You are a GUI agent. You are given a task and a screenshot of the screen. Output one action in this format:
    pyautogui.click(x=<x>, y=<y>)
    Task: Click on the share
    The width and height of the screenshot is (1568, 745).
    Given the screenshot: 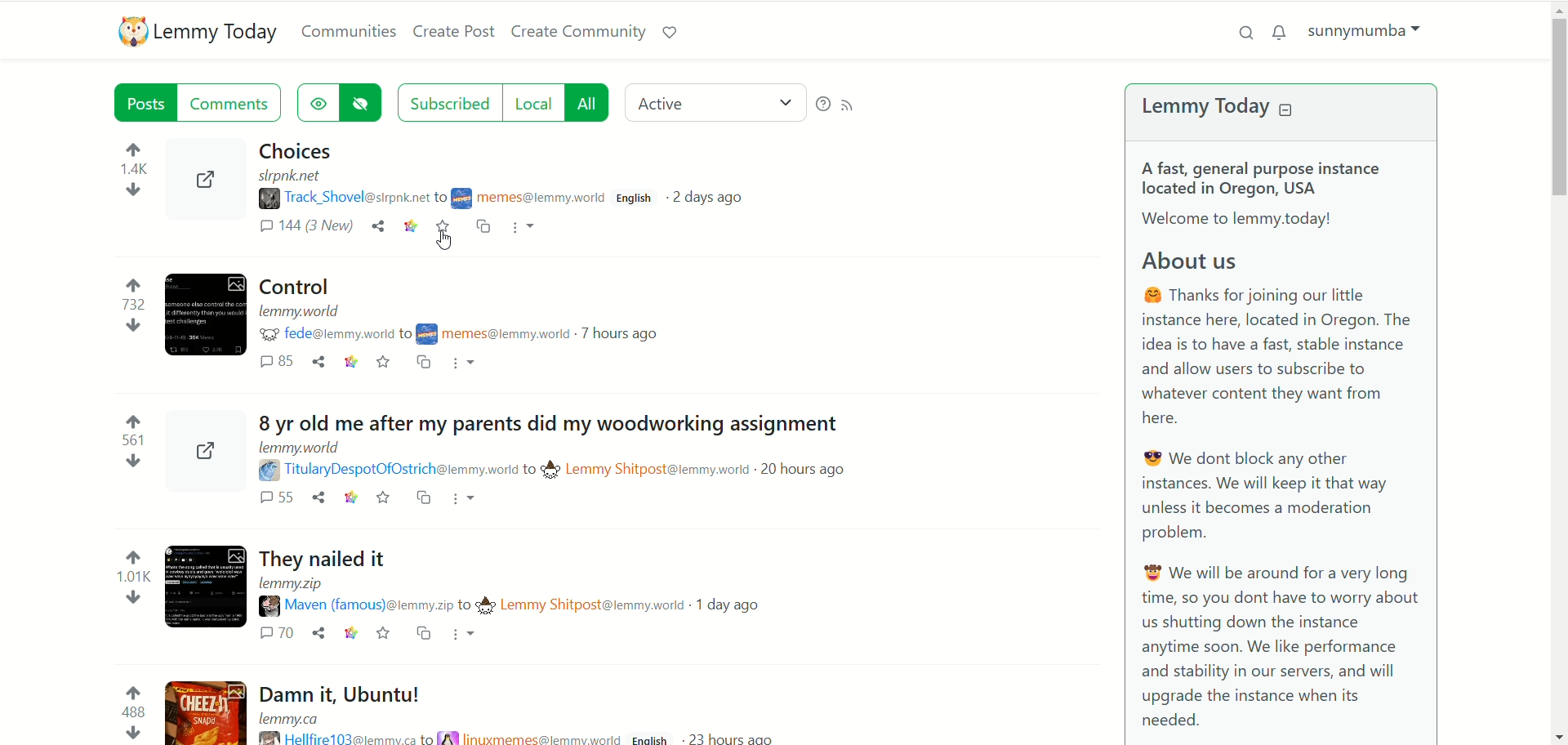 What is the action you would take?
    pyautogui.click(x=380, y=226)
    